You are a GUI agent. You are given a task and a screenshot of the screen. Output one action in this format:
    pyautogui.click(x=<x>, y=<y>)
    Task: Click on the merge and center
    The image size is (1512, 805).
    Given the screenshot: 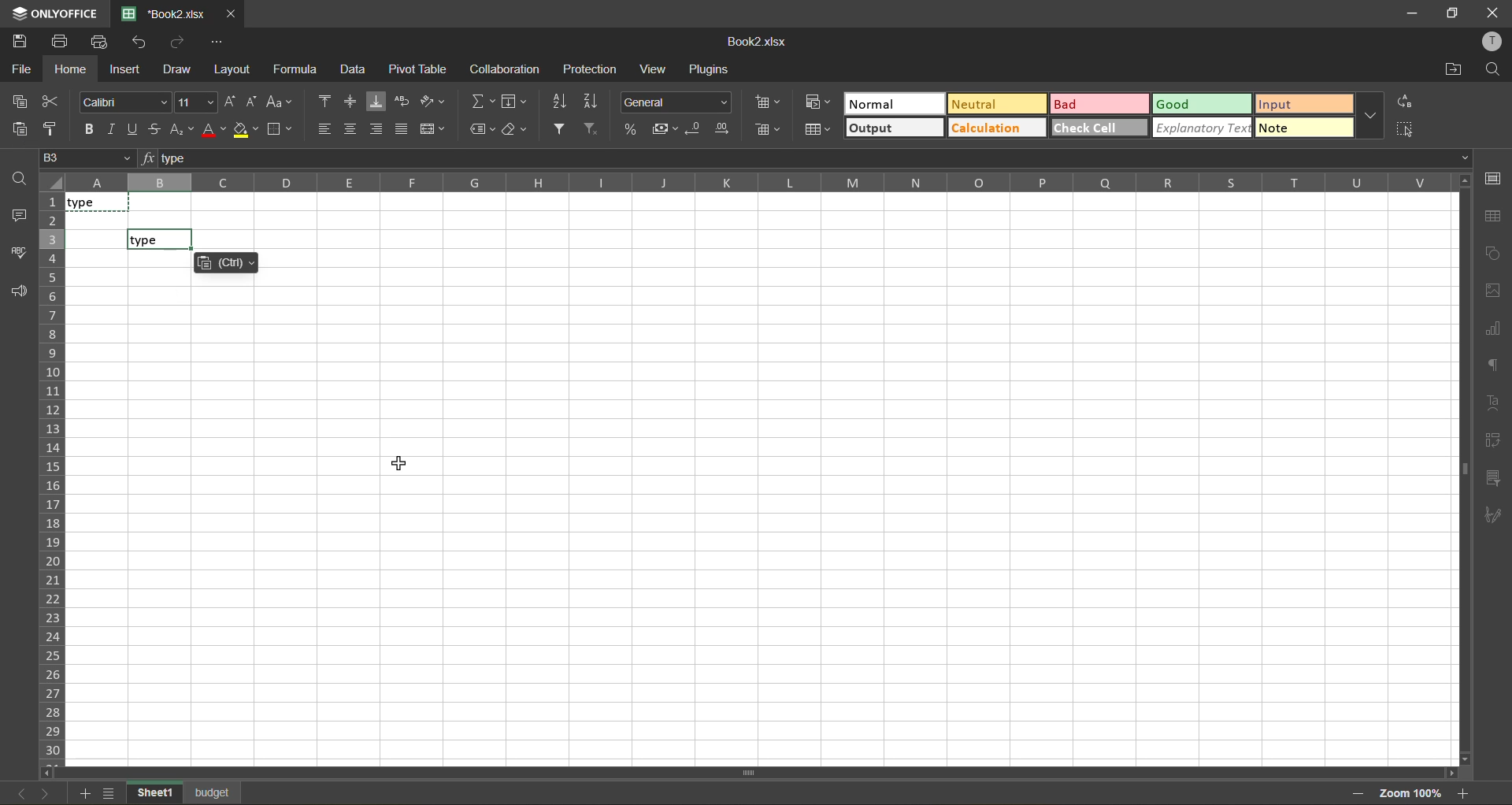 What is the action you would take?
    pyautogui.click(x=433, y=128)
    